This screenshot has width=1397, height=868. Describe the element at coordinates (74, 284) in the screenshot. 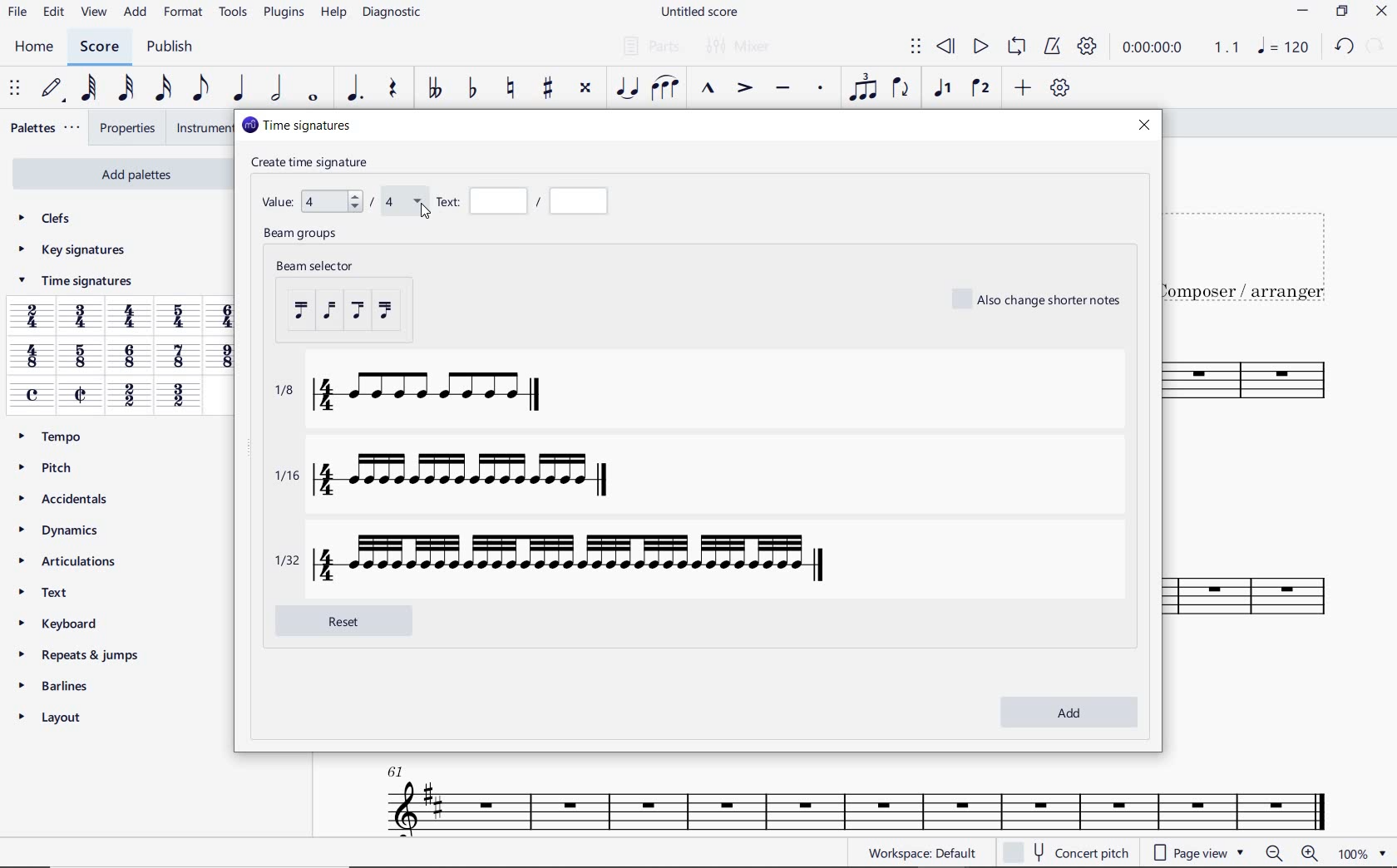

I see `TIME SIGNATURES` at that location.